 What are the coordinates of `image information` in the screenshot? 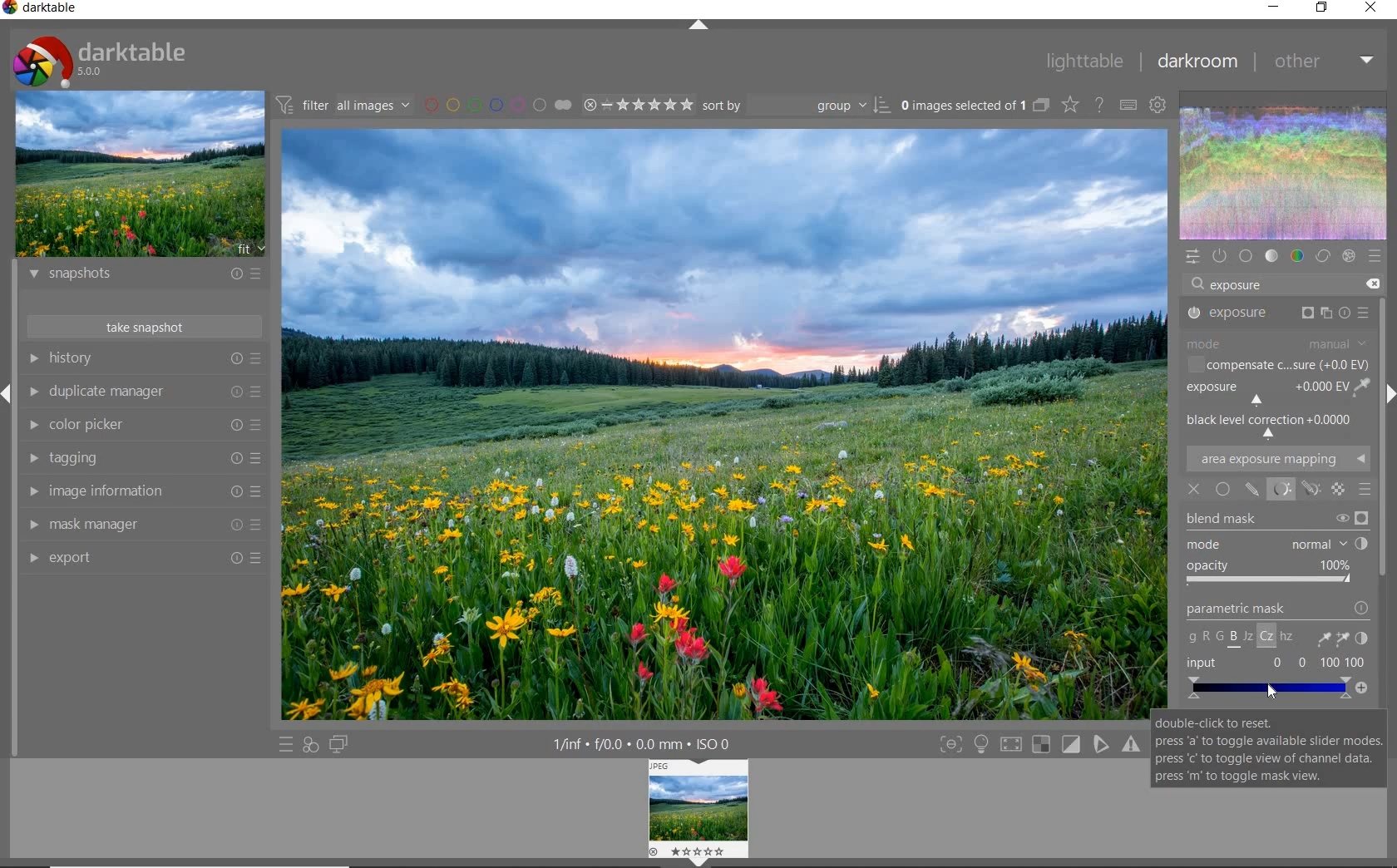 It's located at (143, 491).